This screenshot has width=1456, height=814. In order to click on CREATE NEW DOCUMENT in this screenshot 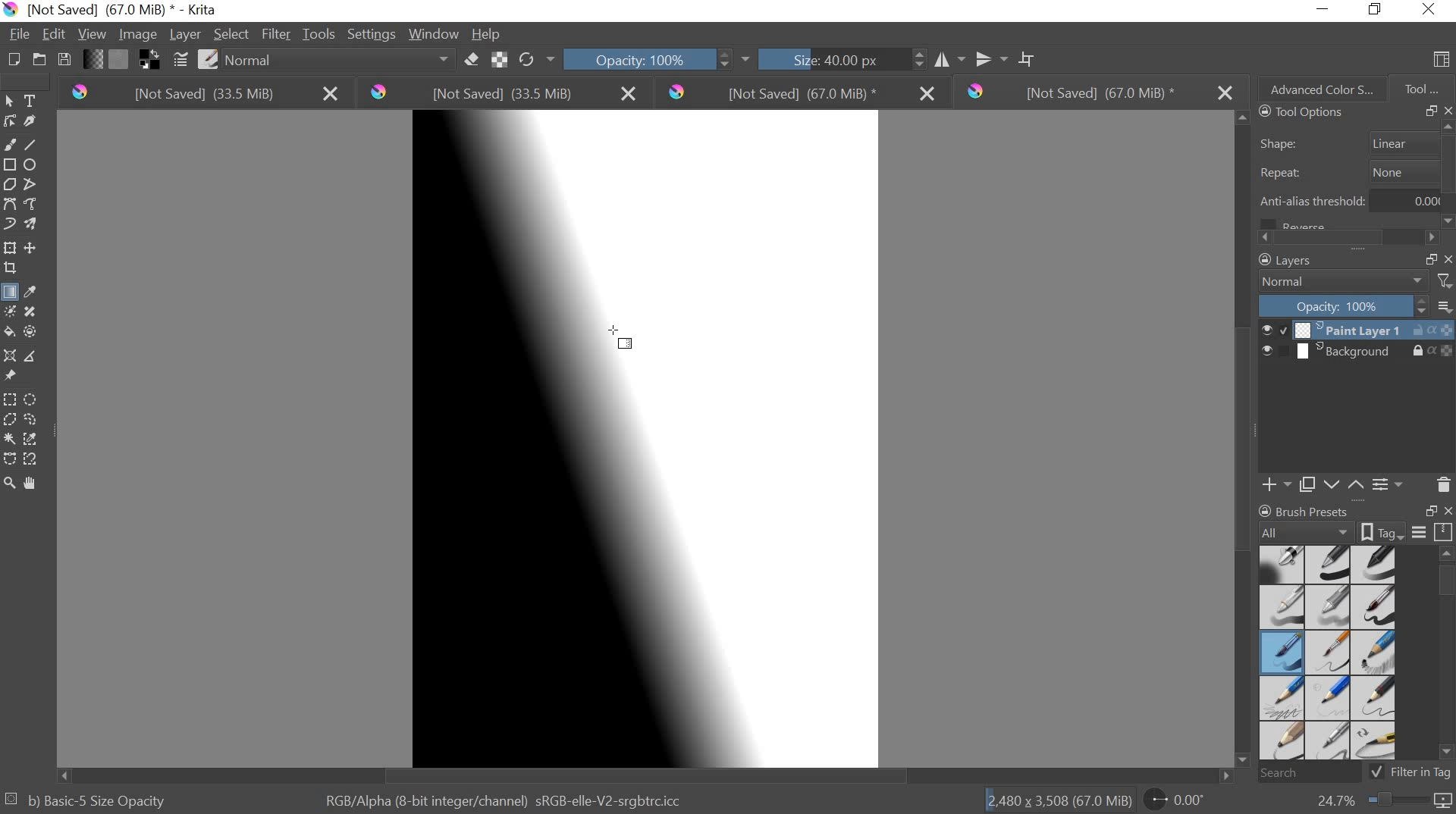, I will do `click(10, 60)`.